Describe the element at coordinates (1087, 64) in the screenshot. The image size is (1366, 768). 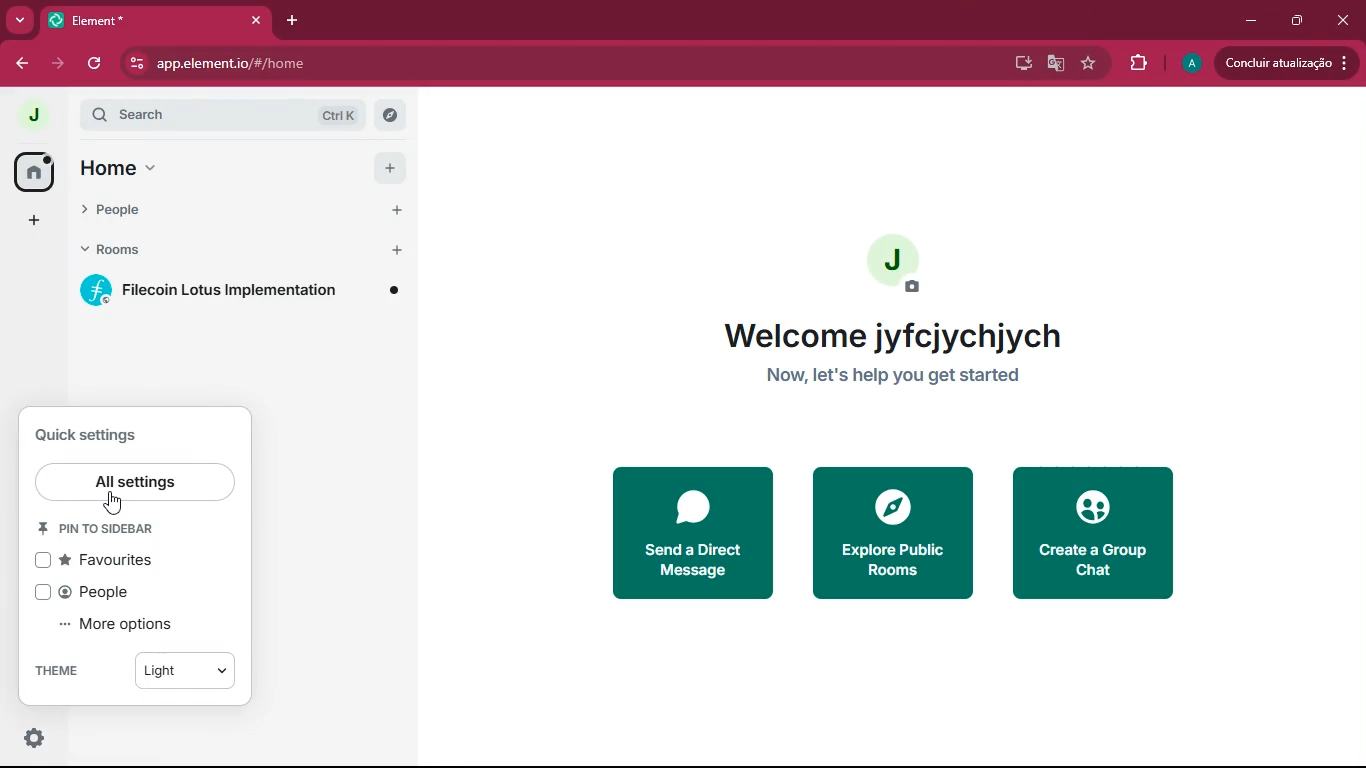
I see `favourite` at that location.